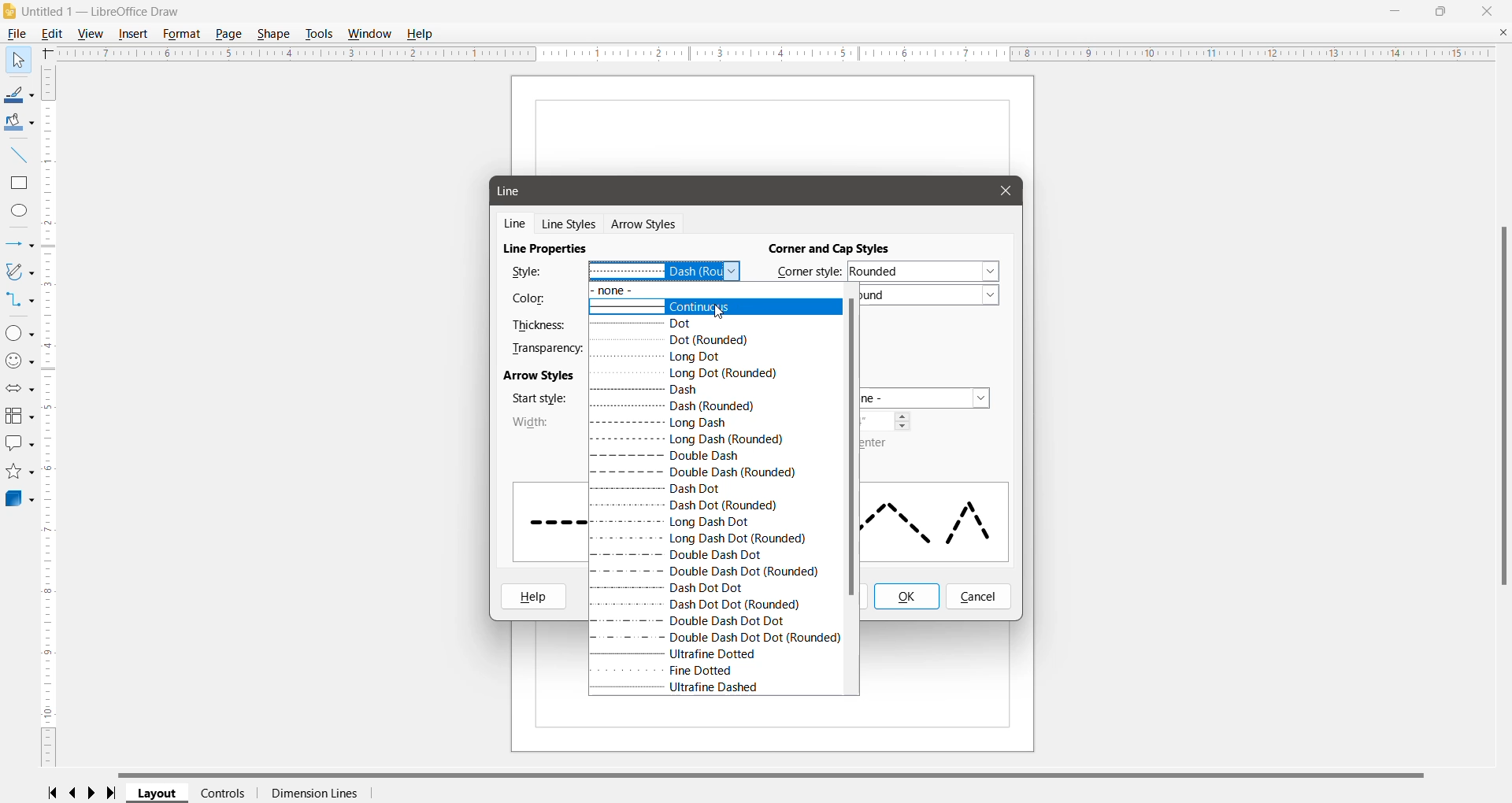 This screenshot has height=803, width=1512. I want to click on Horizontal Scroll Bar, so click(773, 775).